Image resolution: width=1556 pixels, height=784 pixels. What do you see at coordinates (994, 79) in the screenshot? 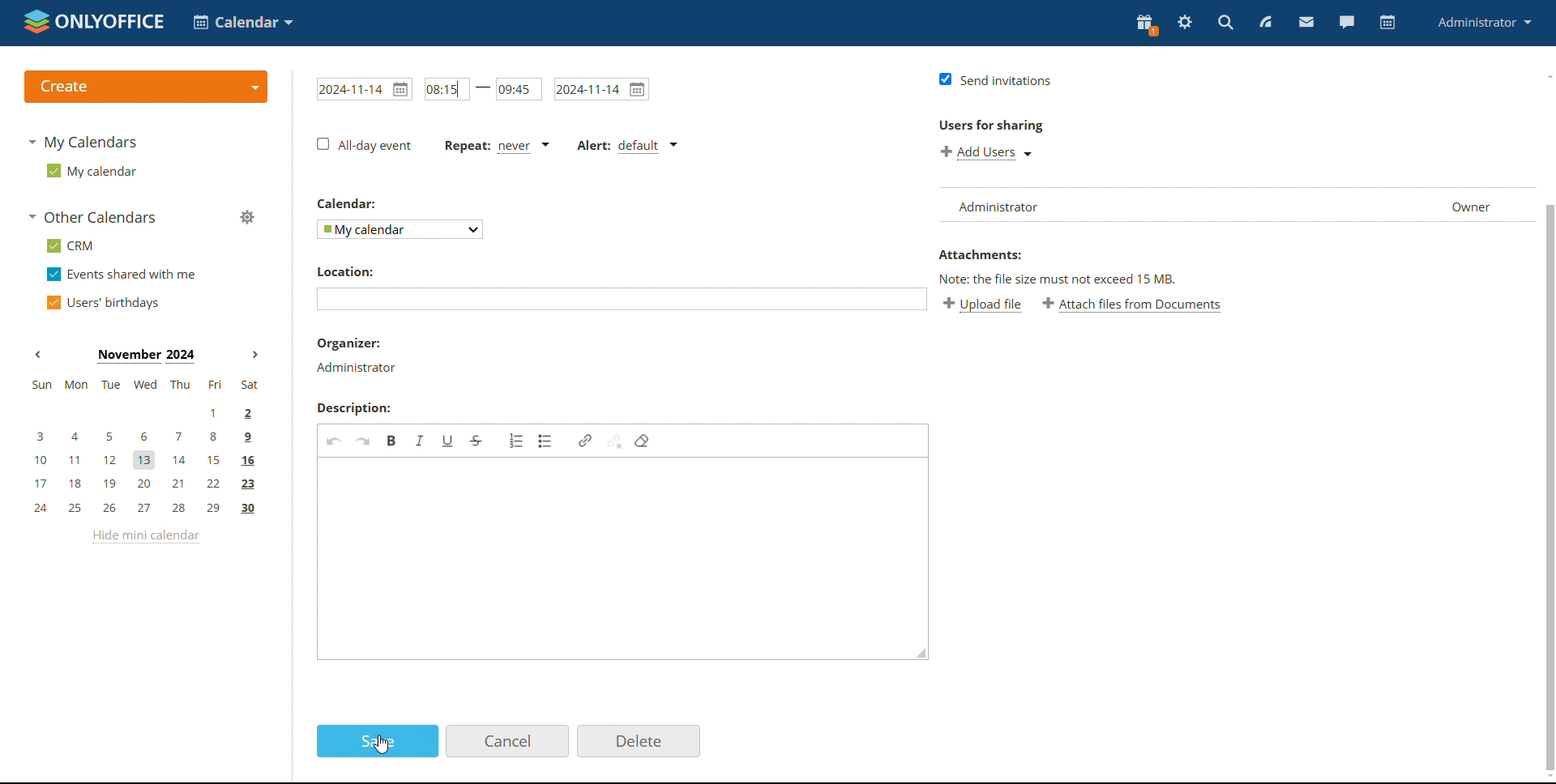
I see `send invitations` at bounding box center [994, 79].